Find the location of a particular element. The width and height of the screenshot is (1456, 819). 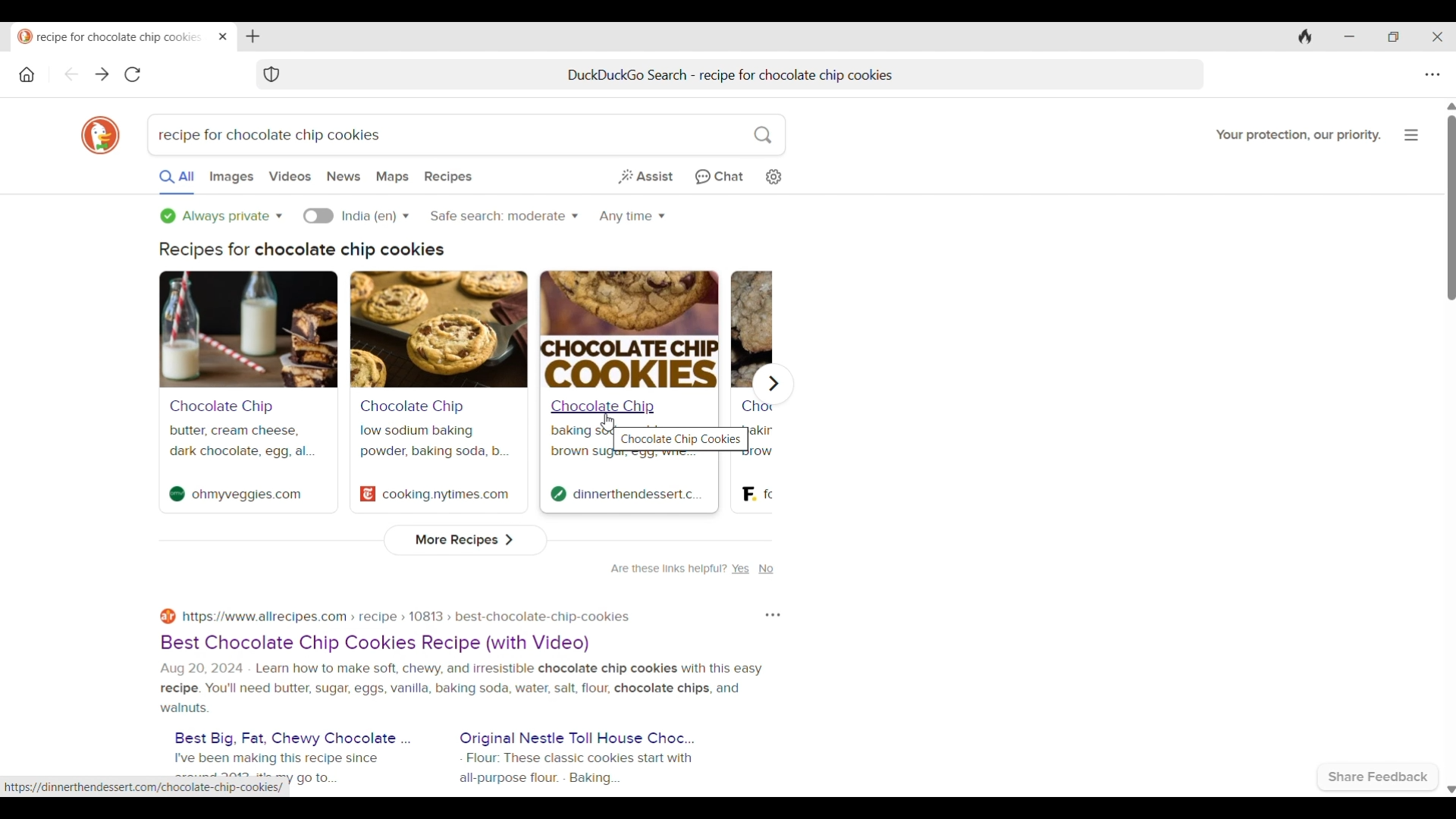

Turn on language specific search is located at coordinates (318, 216).